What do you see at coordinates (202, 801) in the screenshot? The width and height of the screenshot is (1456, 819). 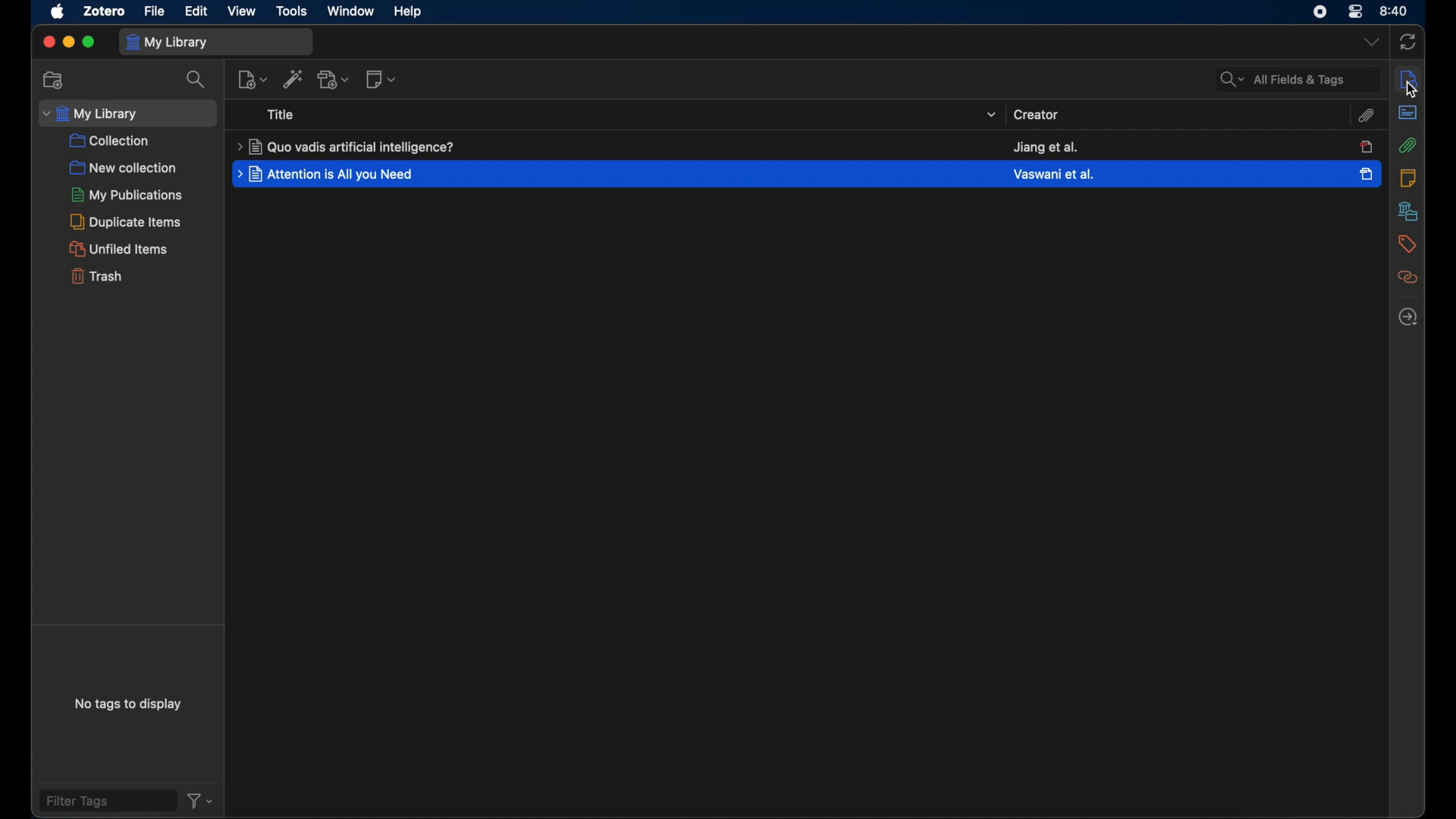 I see `filter dropdown` at bounding box center [202, 801].